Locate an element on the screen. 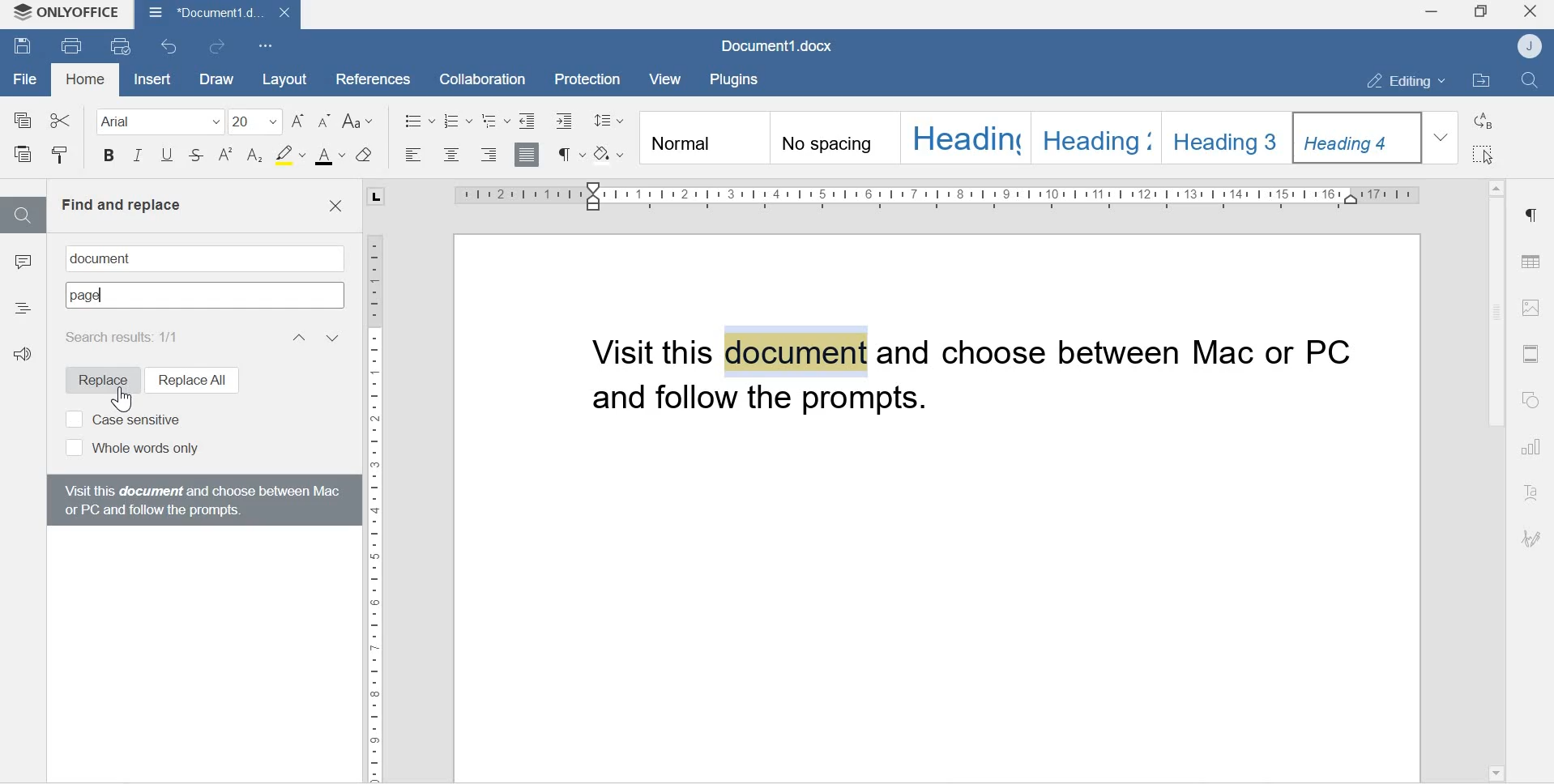 This screenshot has height=784, width=1554. Scale is located at coordinates (375, 496).